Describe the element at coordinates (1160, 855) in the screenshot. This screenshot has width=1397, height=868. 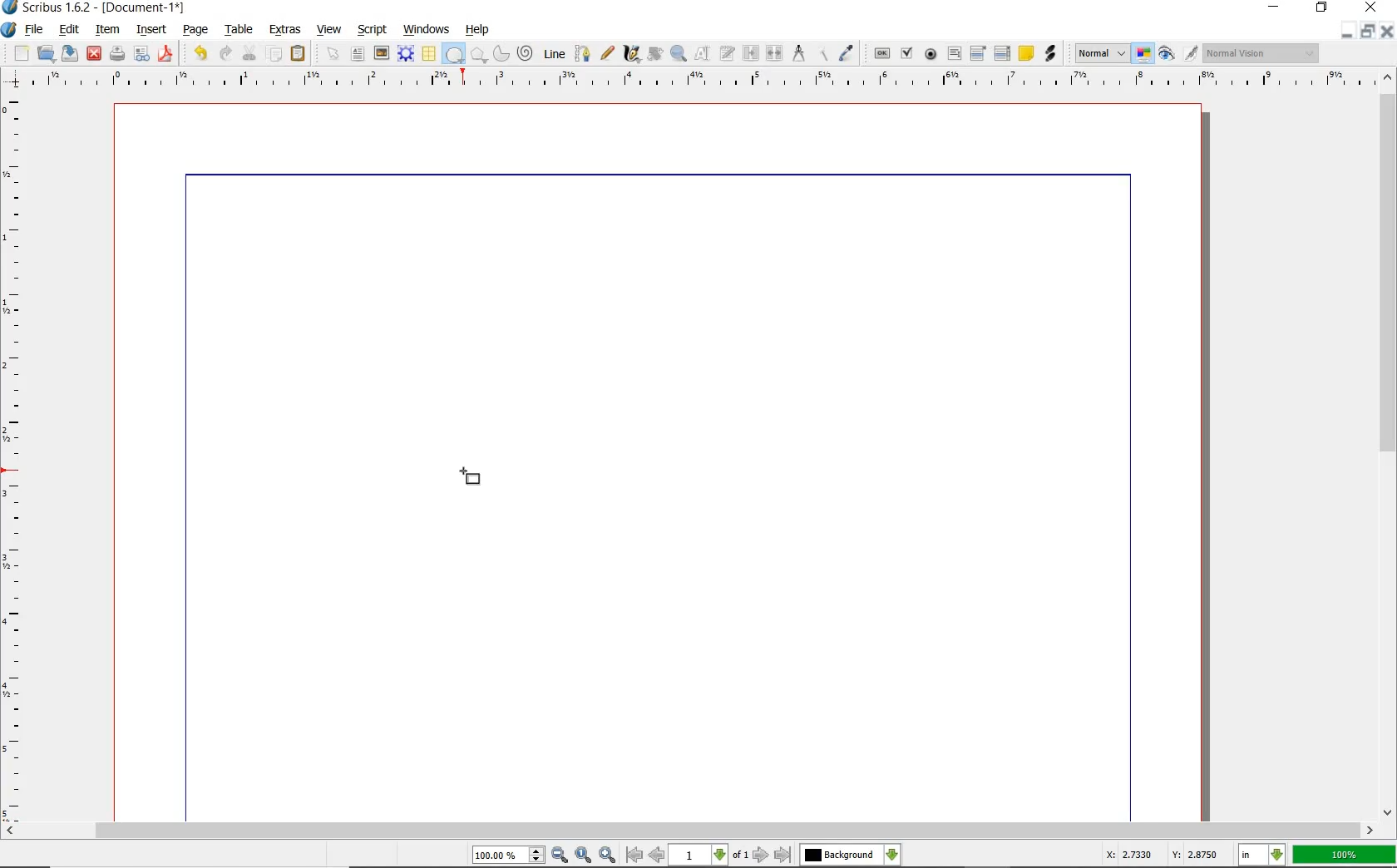
I see `coordinates` at that location.